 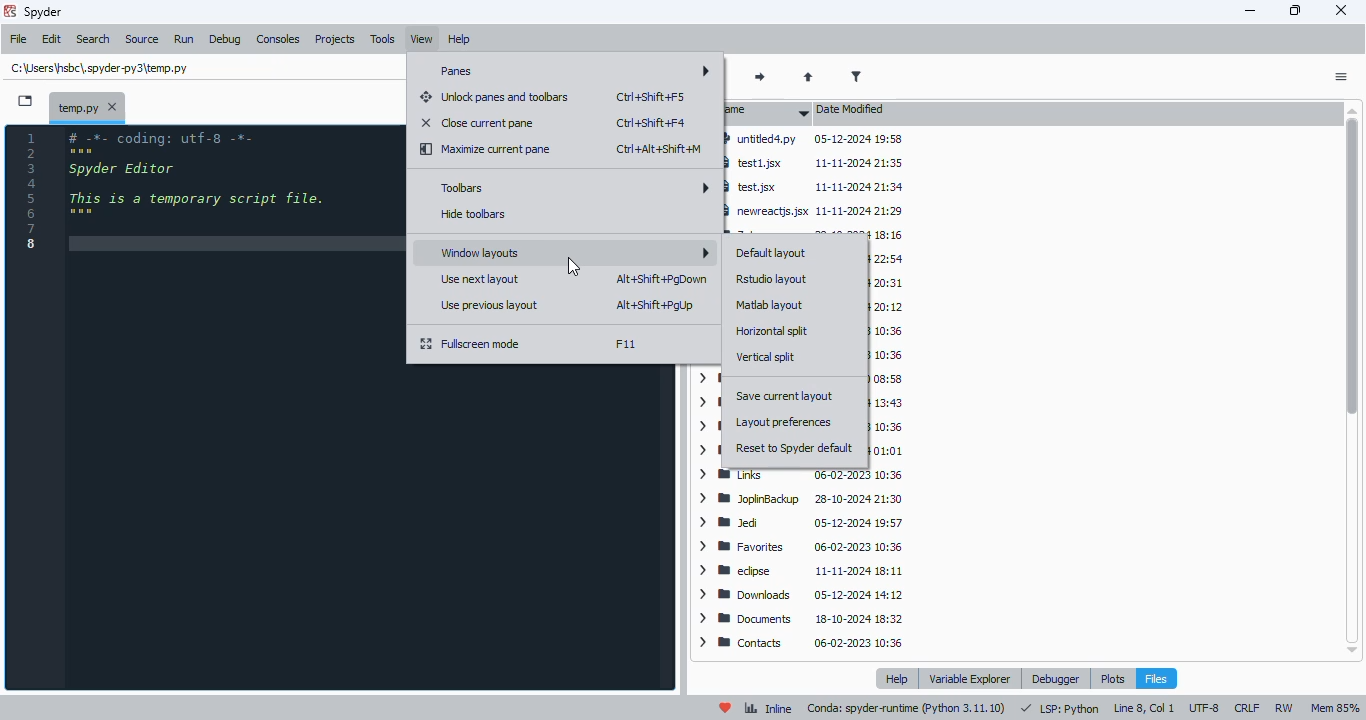 What do you see at coordinates (650, 123) in the screenshot?
I see `shortcut for close current pane` at bounding box center [650, 123].